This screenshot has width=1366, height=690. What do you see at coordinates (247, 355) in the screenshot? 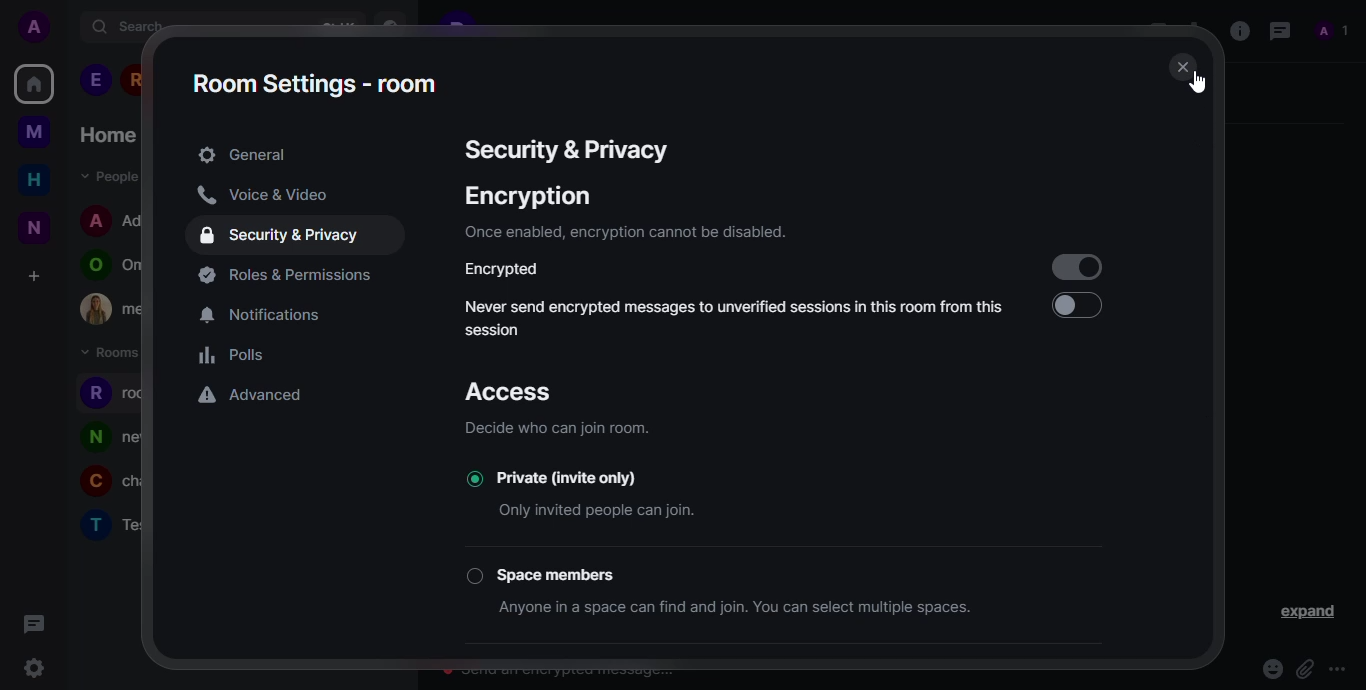
I see `Polls` at bounding box center [247, 355].